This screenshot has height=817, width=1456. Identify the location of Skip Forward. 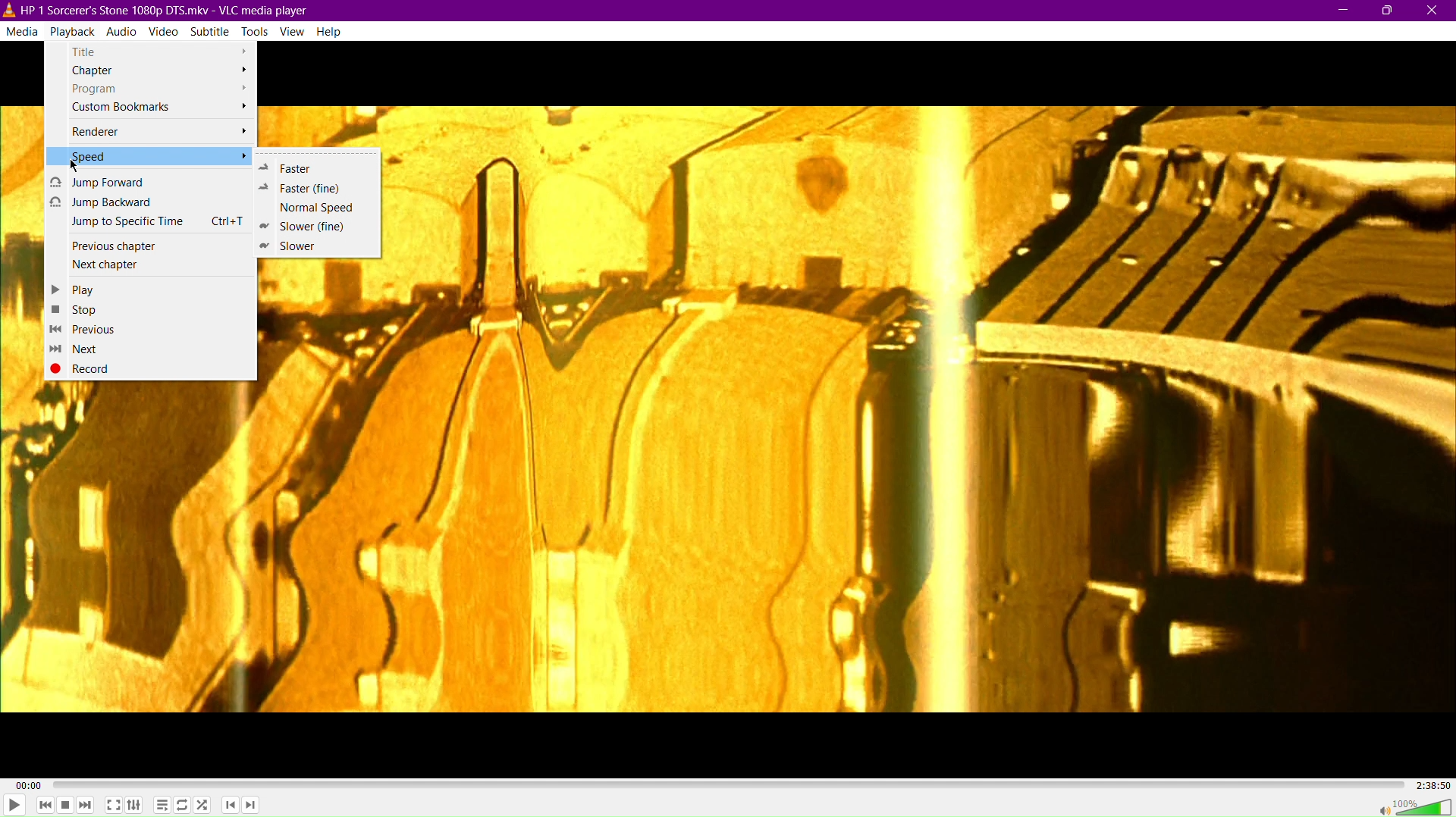
(88, 806).